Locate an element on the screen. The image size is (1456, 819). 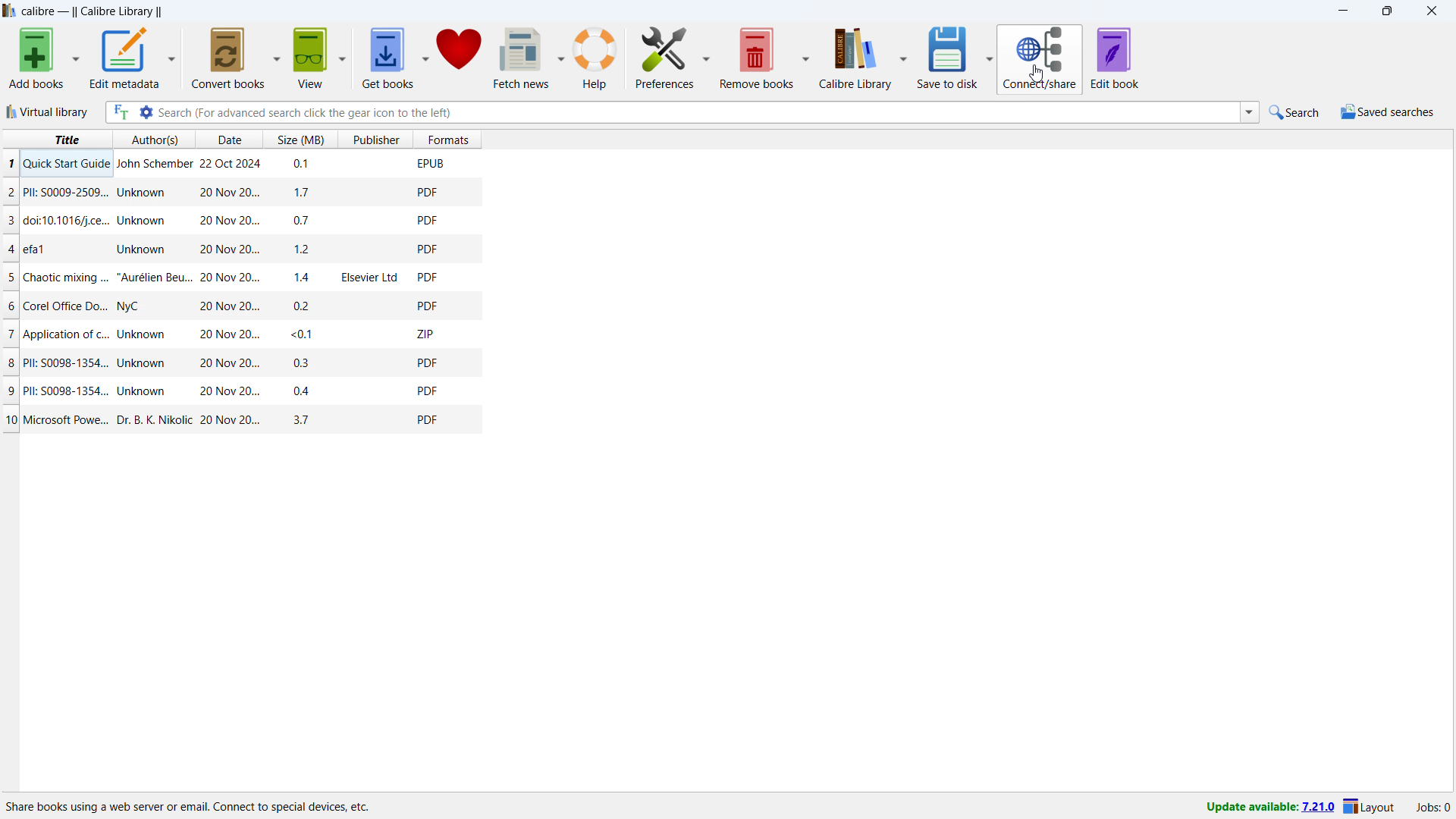
fetch news is located at coordinates (522, 57).